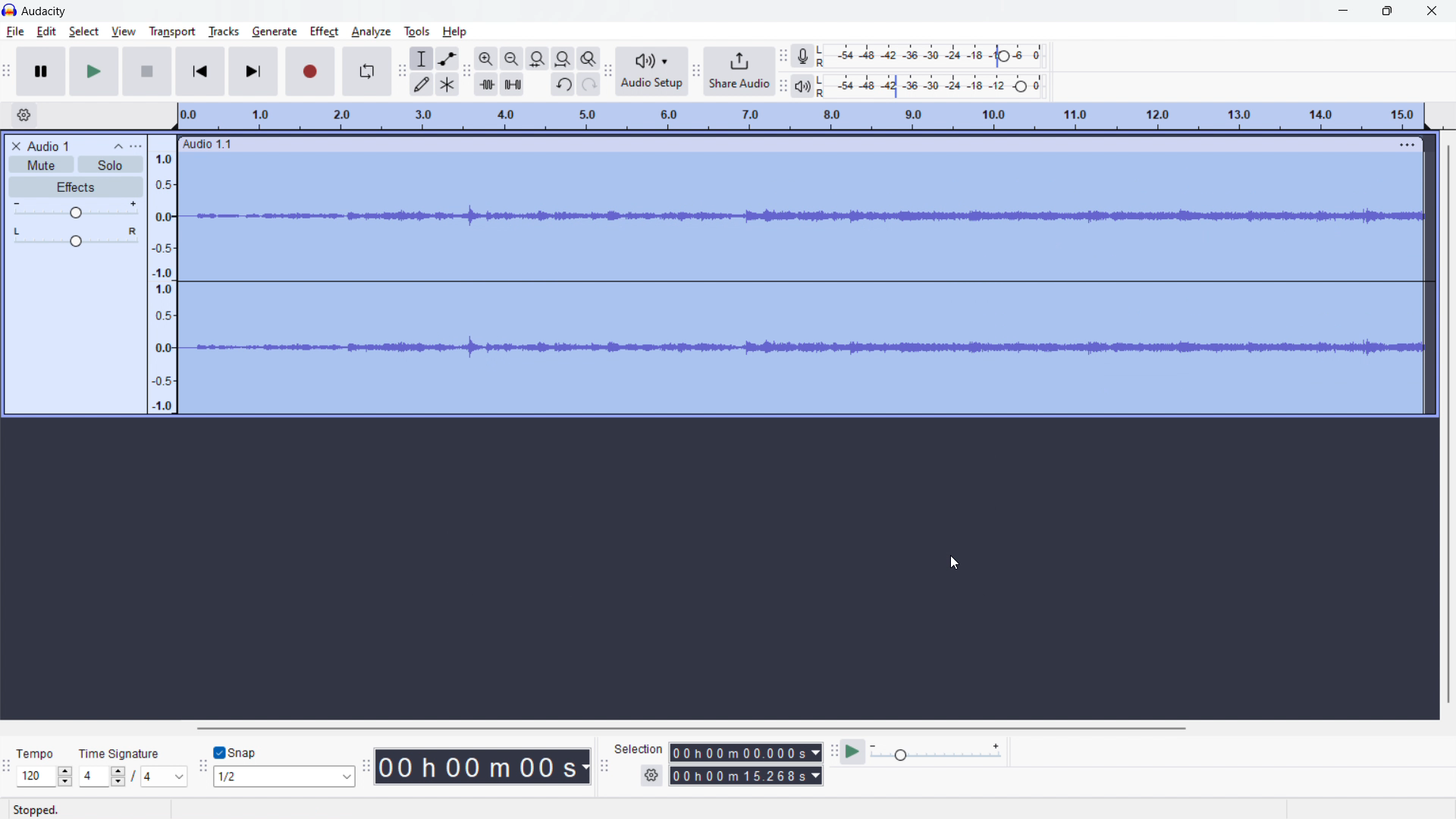 The width and height of the screenshot is (1456, 819). I want to click on undo, so click(563, 84).